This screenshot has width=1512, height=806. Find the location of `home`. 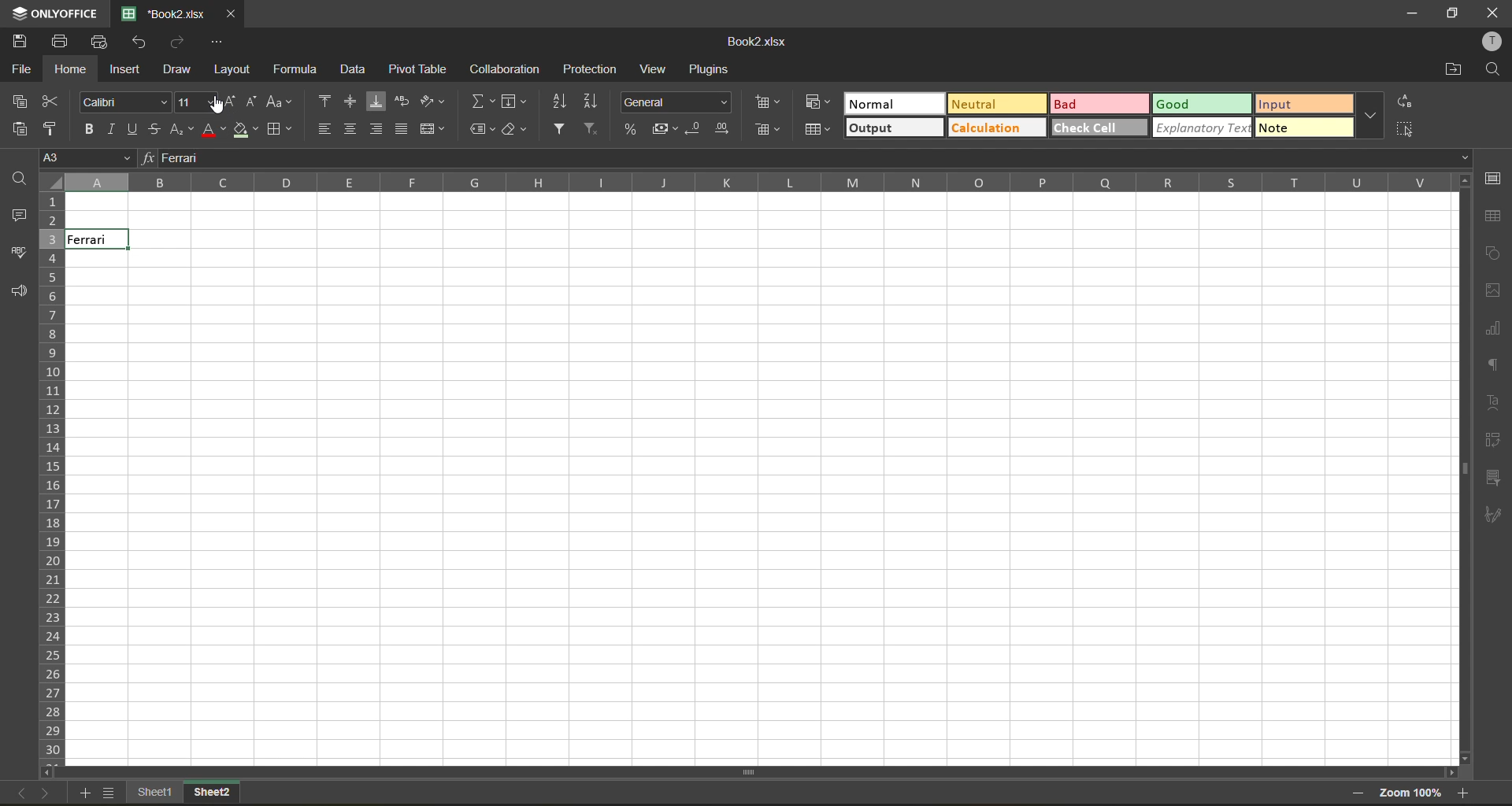

home is located at coordinates (67, 70).